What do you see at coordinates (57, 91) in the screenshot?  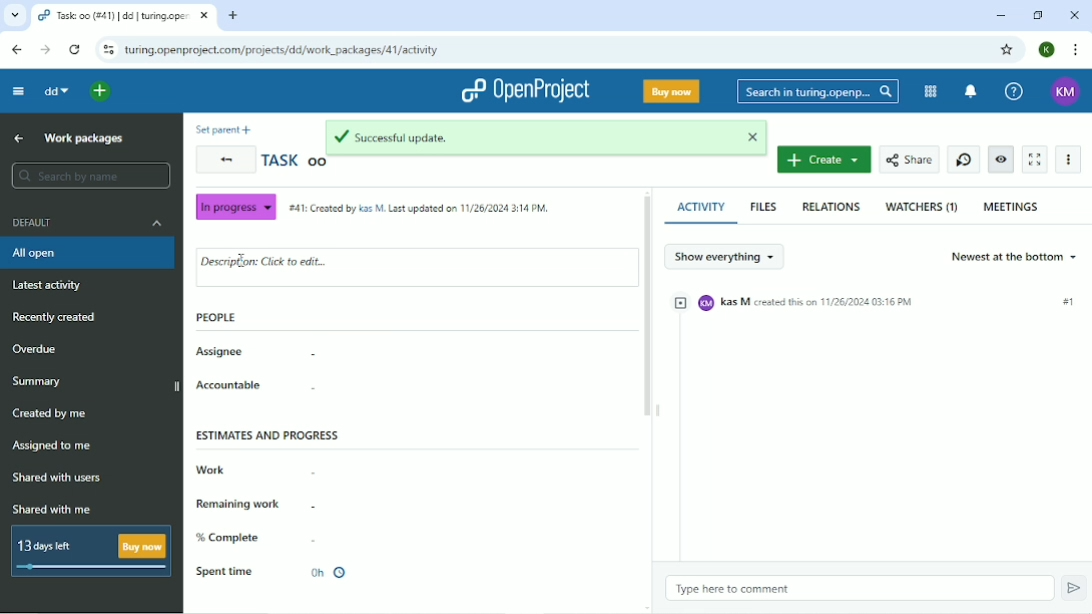 I see `dd` at bounding box center [57, 91].